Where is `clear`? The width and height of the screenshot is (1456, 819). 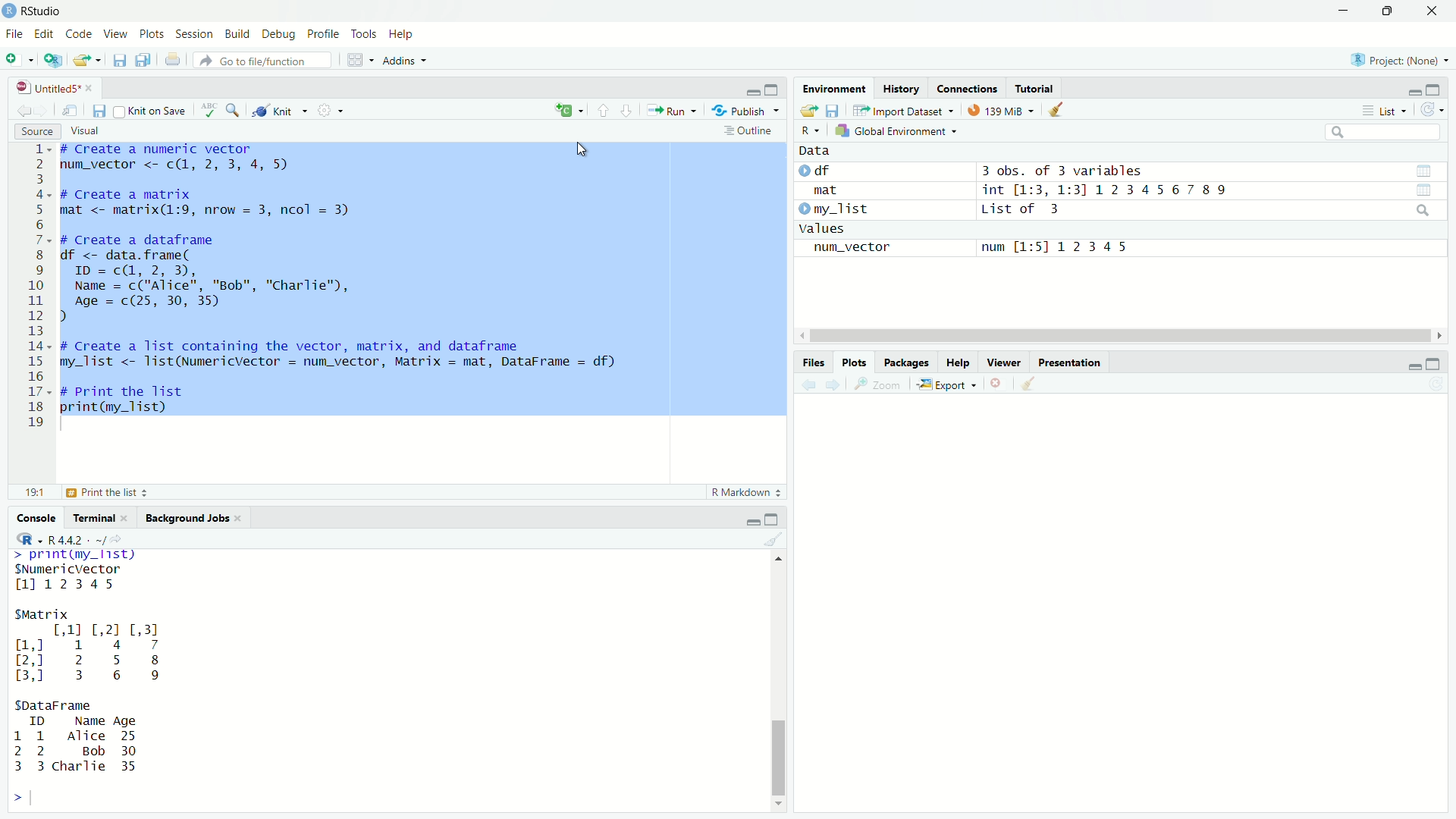
clear is located at coordinates (777, 540).